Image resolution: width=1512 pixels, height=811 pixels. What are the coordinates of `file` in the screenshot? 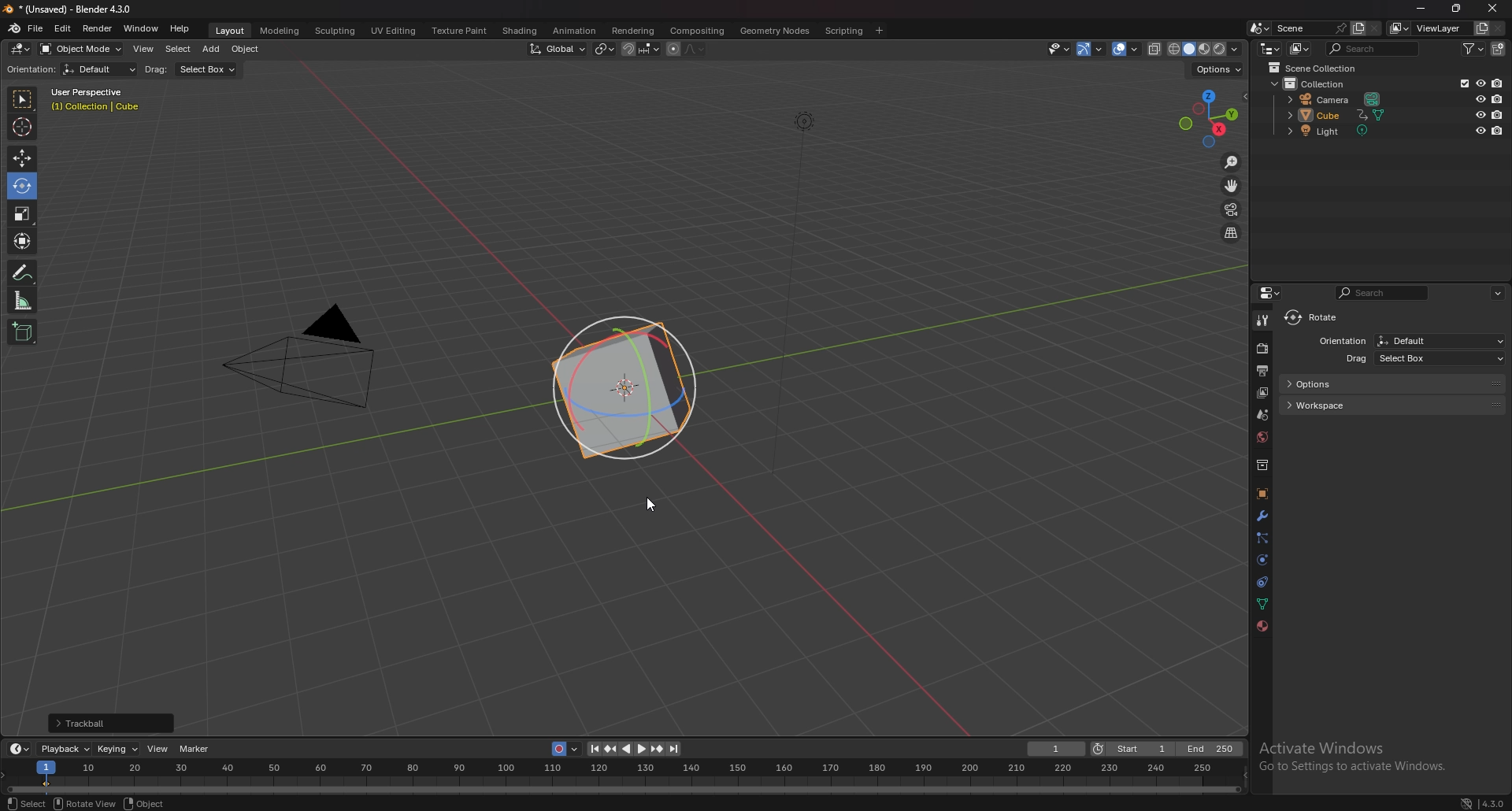 It's located at (35, 28).